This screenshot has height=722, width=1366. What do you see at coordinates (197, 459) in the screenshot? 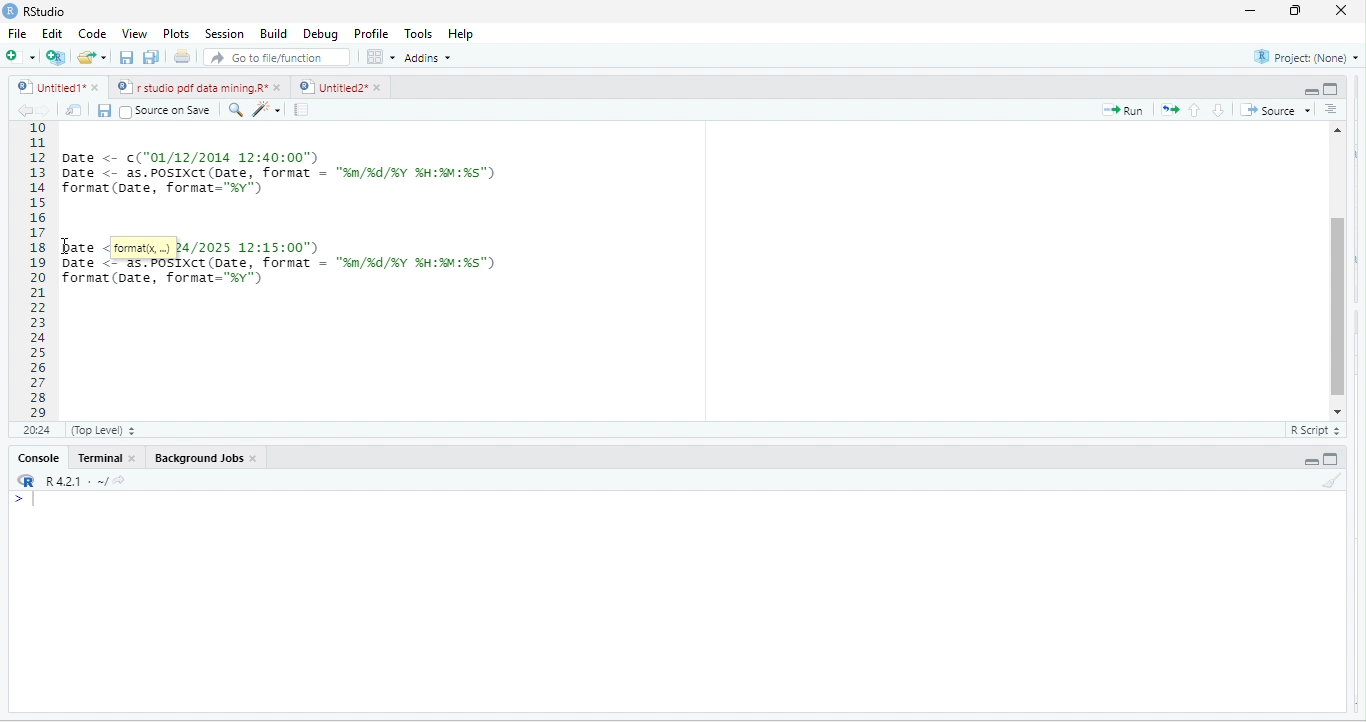
I see `‘Background Jobs` at bounding box center [197, 459].